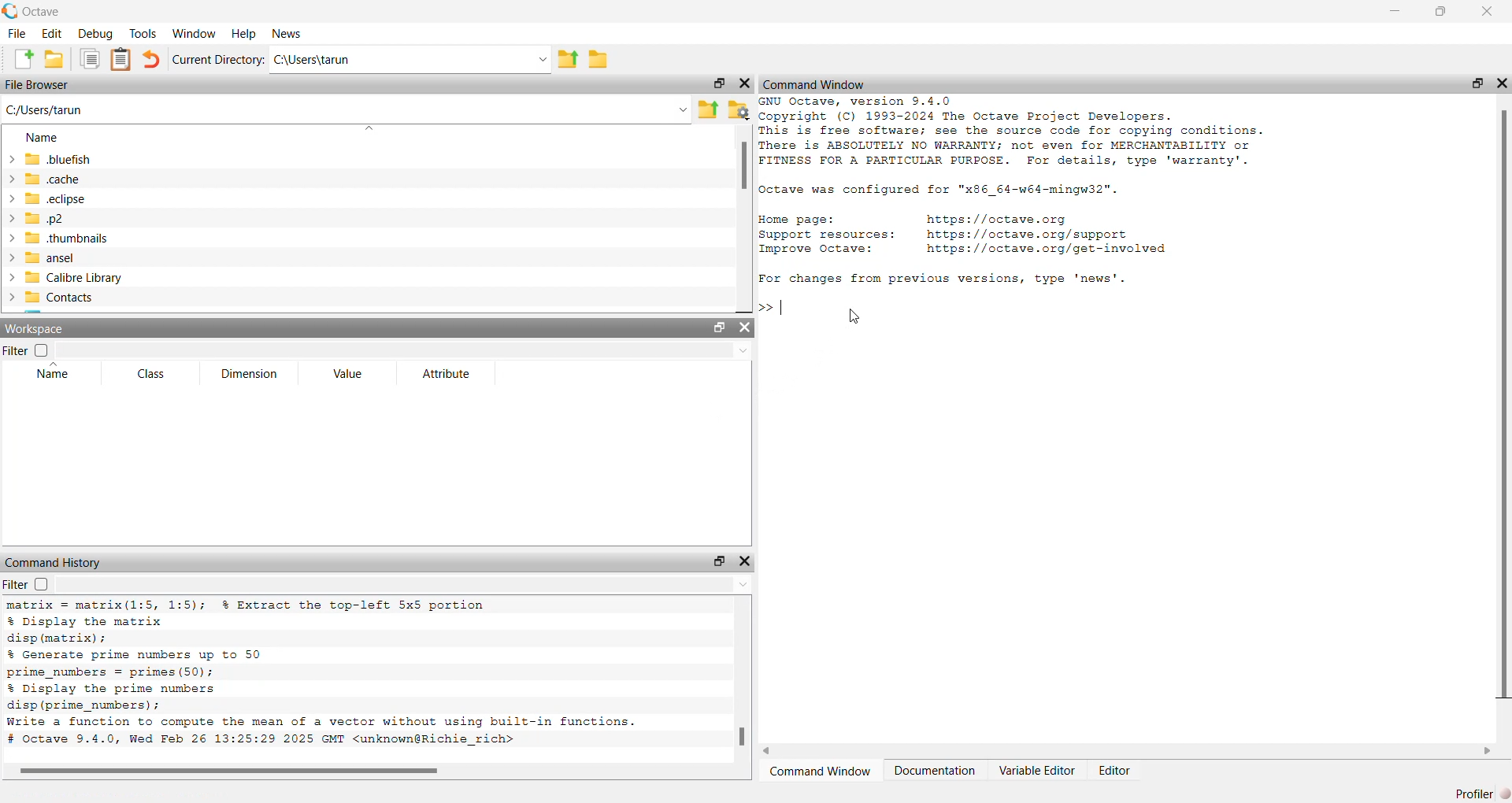 The image size is (1512, 803). I want to click on close, so click(746, 327).